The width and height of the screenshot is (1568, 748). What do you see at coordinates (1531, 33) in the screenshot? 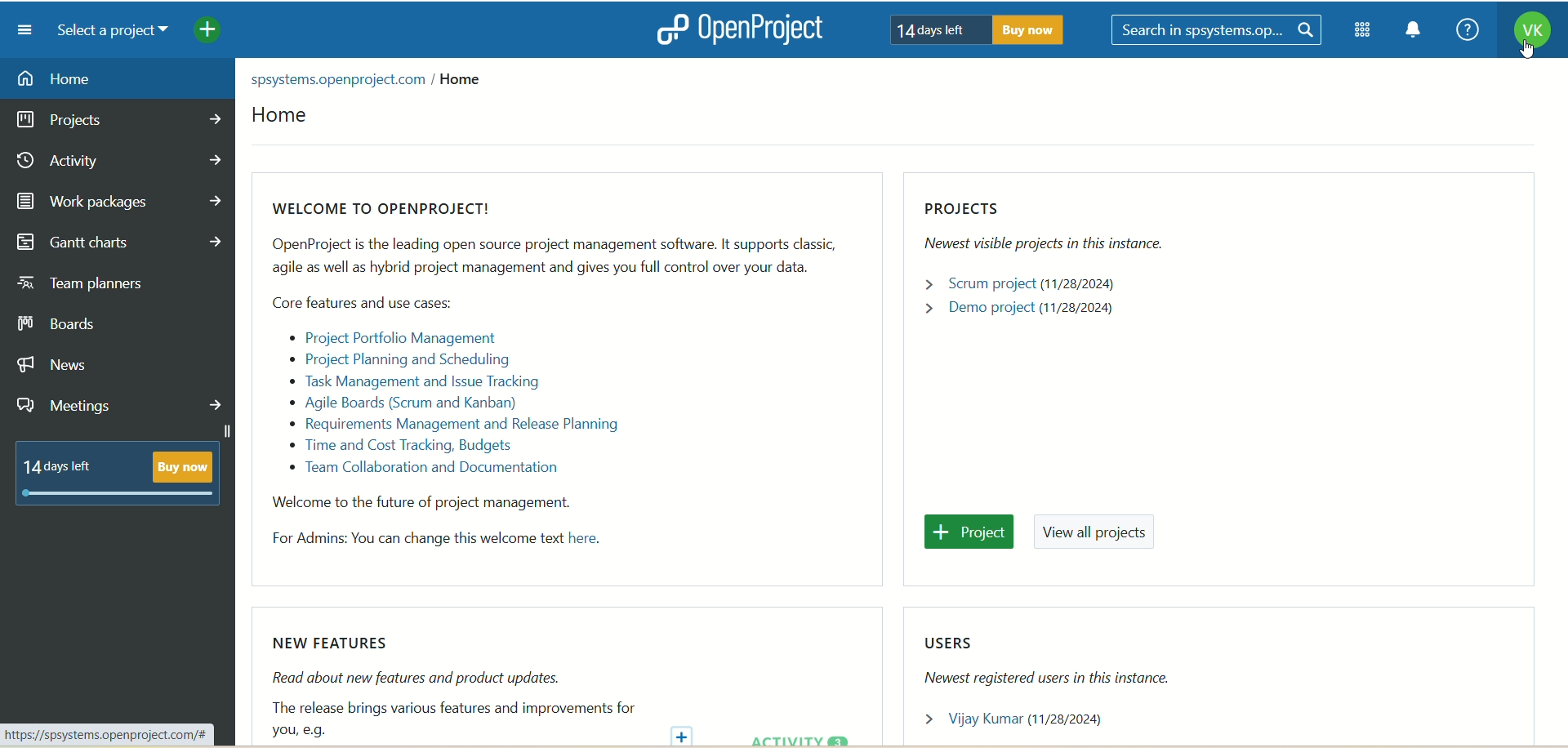
I see `account` at bounding box center [1531, 33].